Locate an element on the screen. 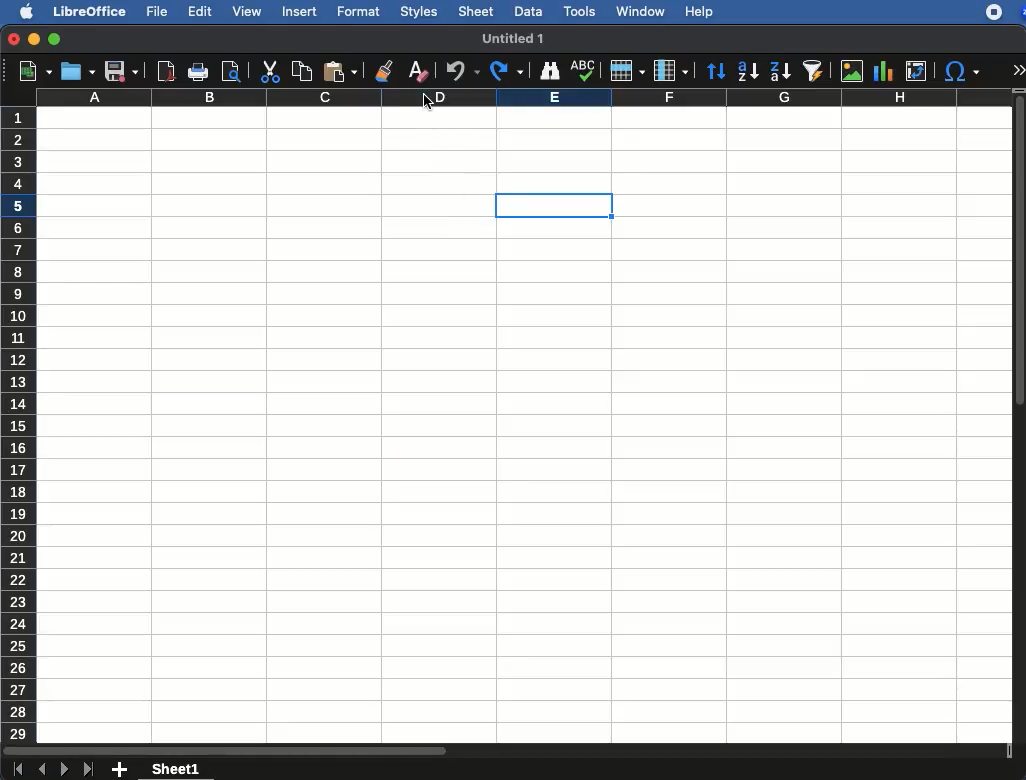  new is located at coordinates (30, 72).